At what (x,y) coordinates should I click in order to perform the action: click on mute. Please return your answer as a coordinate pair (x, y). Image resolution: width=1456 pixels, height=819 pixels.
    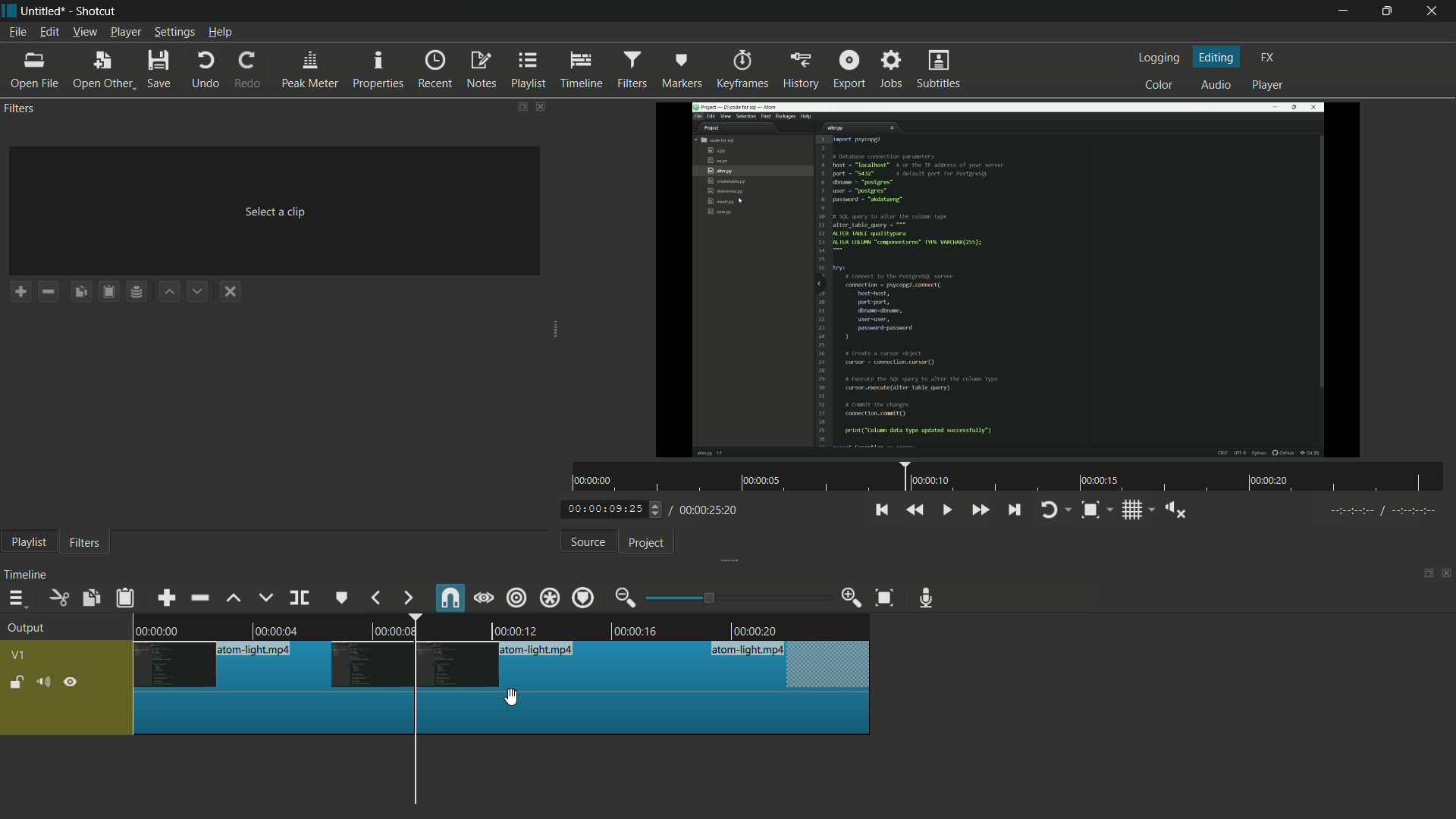
    Looking at the image, I should click on (42, 681).